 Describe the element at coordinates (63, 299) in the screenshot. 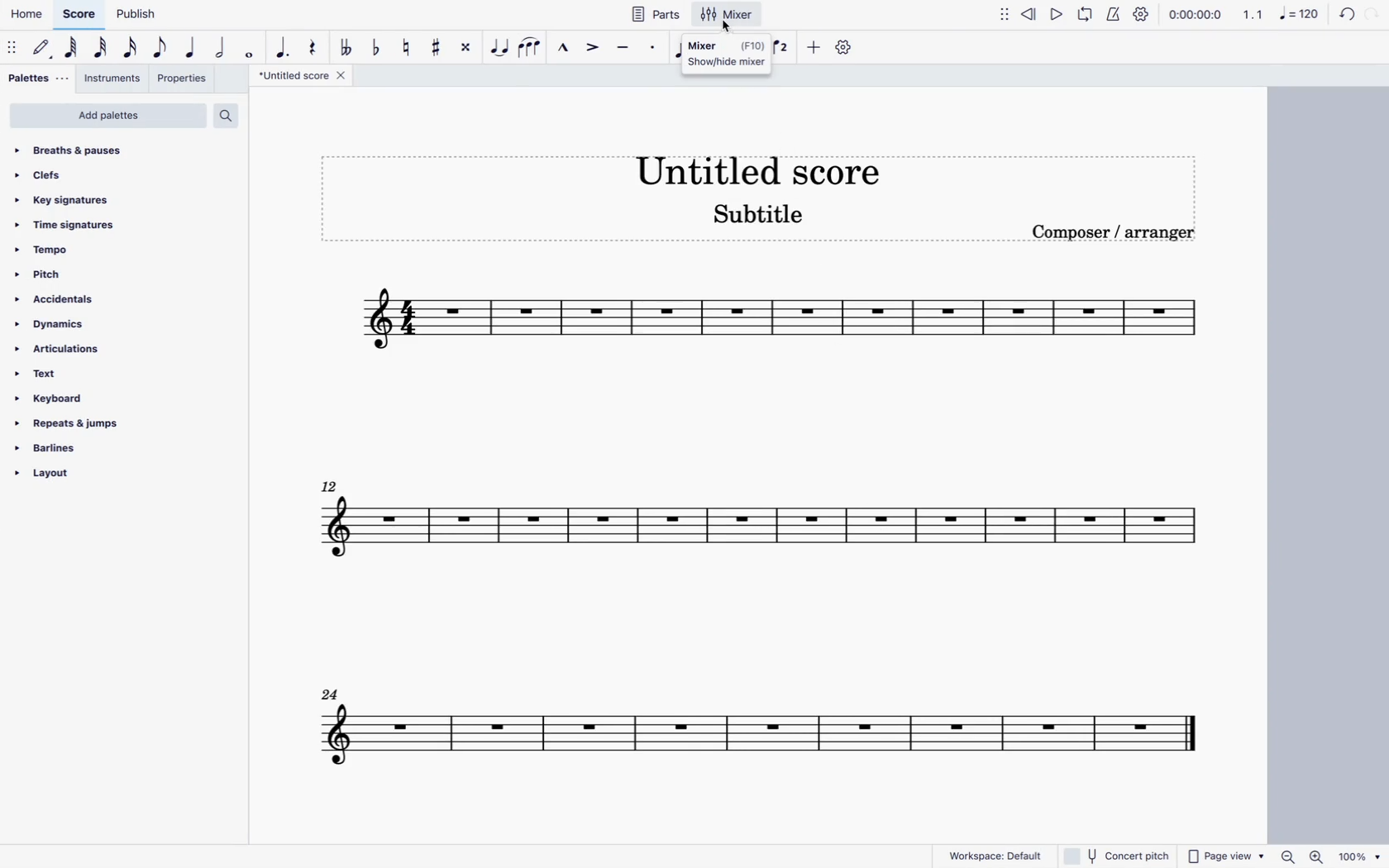

I see `accidentals` at that location.